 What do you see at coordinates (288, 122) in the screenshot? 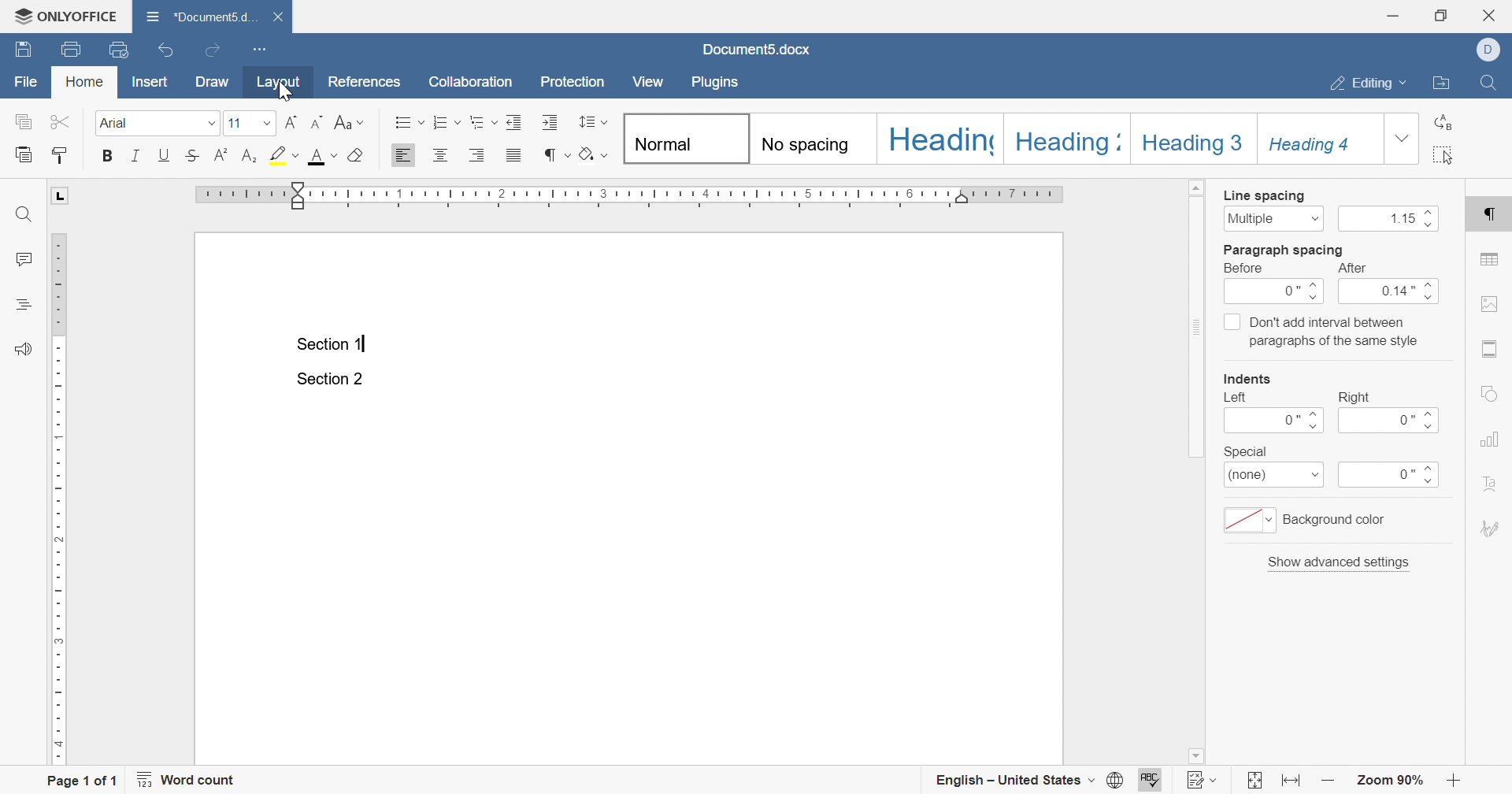
I see `increase indent` at bounding box center [288, 122].